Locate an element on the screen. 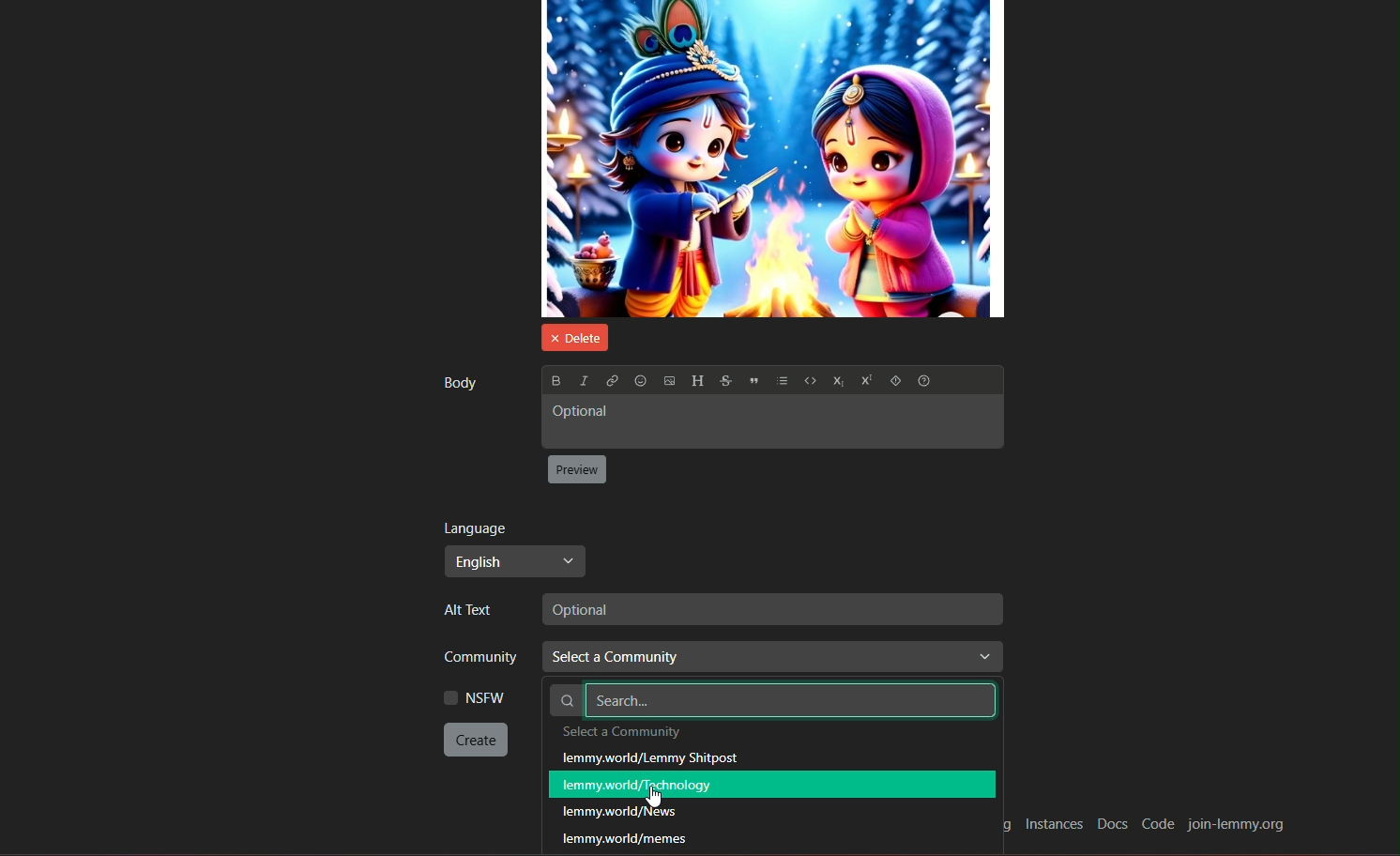  select language is located at coordinates (514, 561).